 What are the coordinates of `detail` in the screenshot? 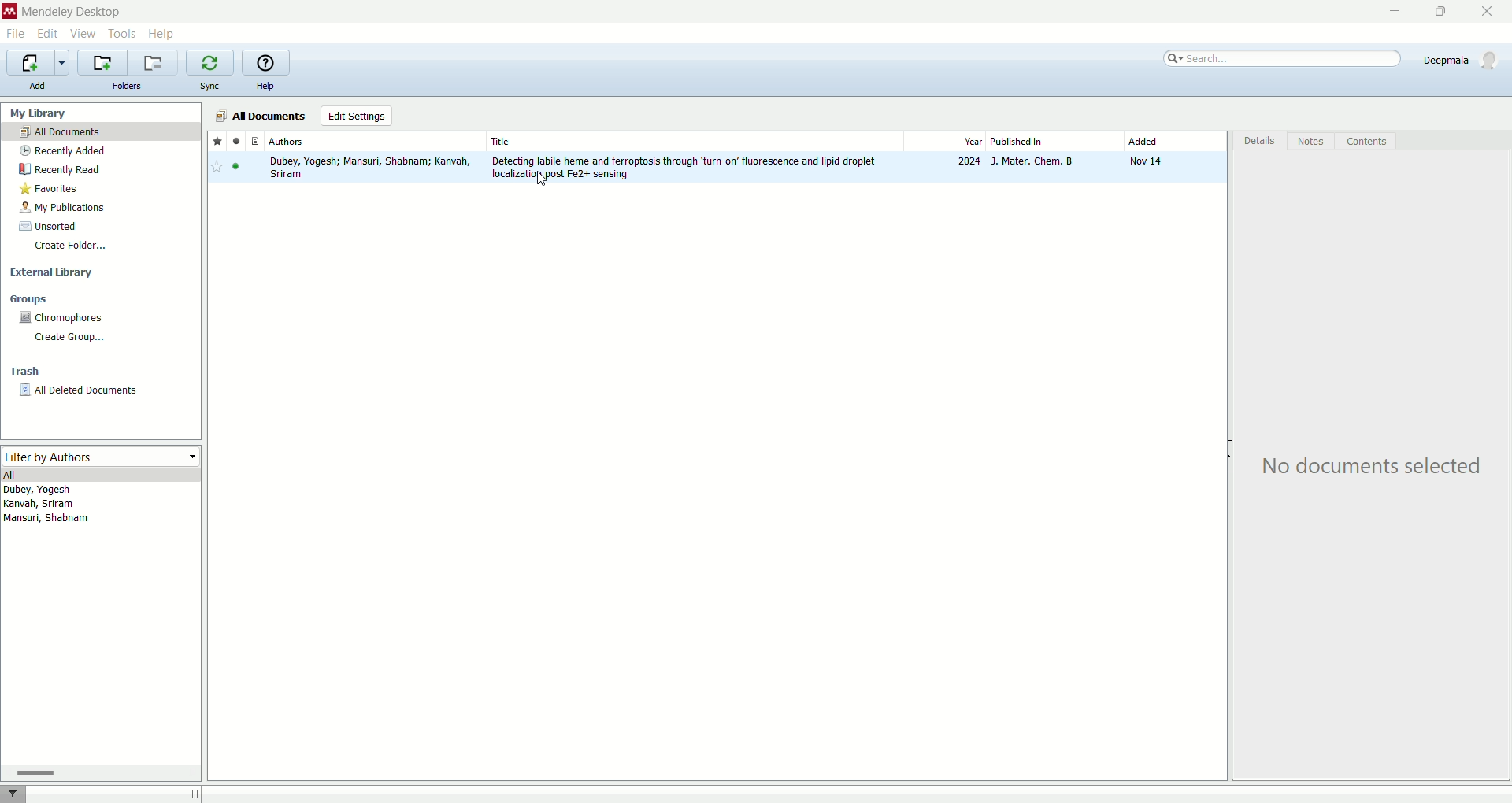 It's located at (1258, 142).